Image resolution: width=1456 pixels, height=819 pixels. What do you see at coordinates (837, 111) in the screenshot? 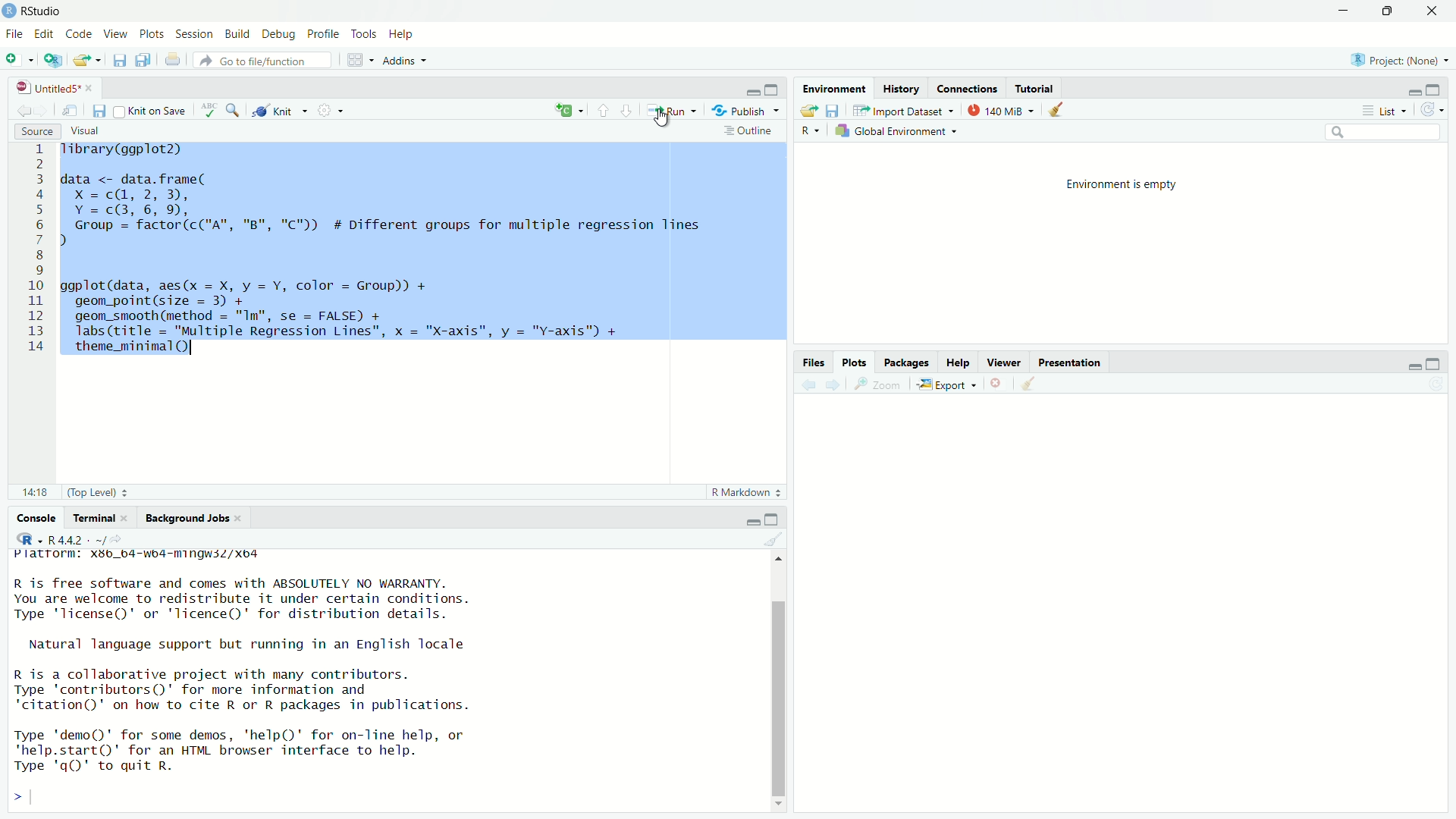
I see `files` at bounding box center [837, 111].